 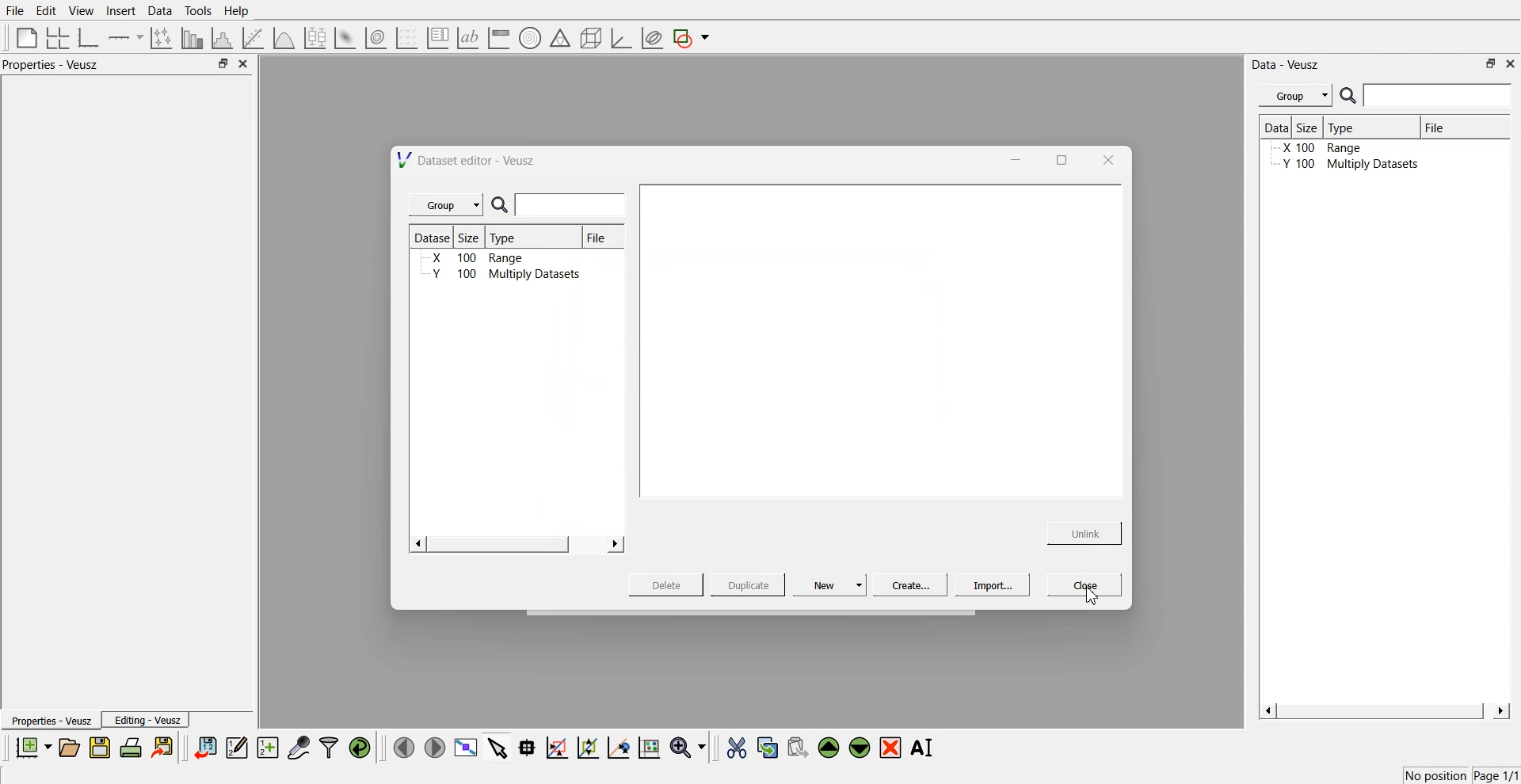 I want to click on minimise, so click(x=1012, y=158).